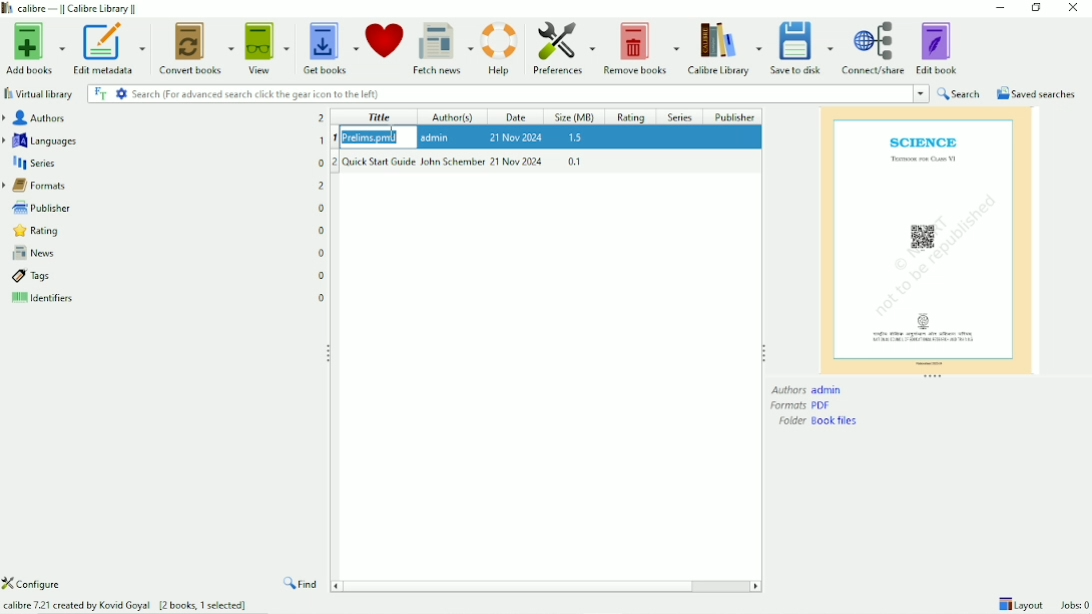 The image size is (1092, 614). What do you see at coordinates (42, 140) in the screenshot?
I see `Languages` at bounding box center [42, 140].